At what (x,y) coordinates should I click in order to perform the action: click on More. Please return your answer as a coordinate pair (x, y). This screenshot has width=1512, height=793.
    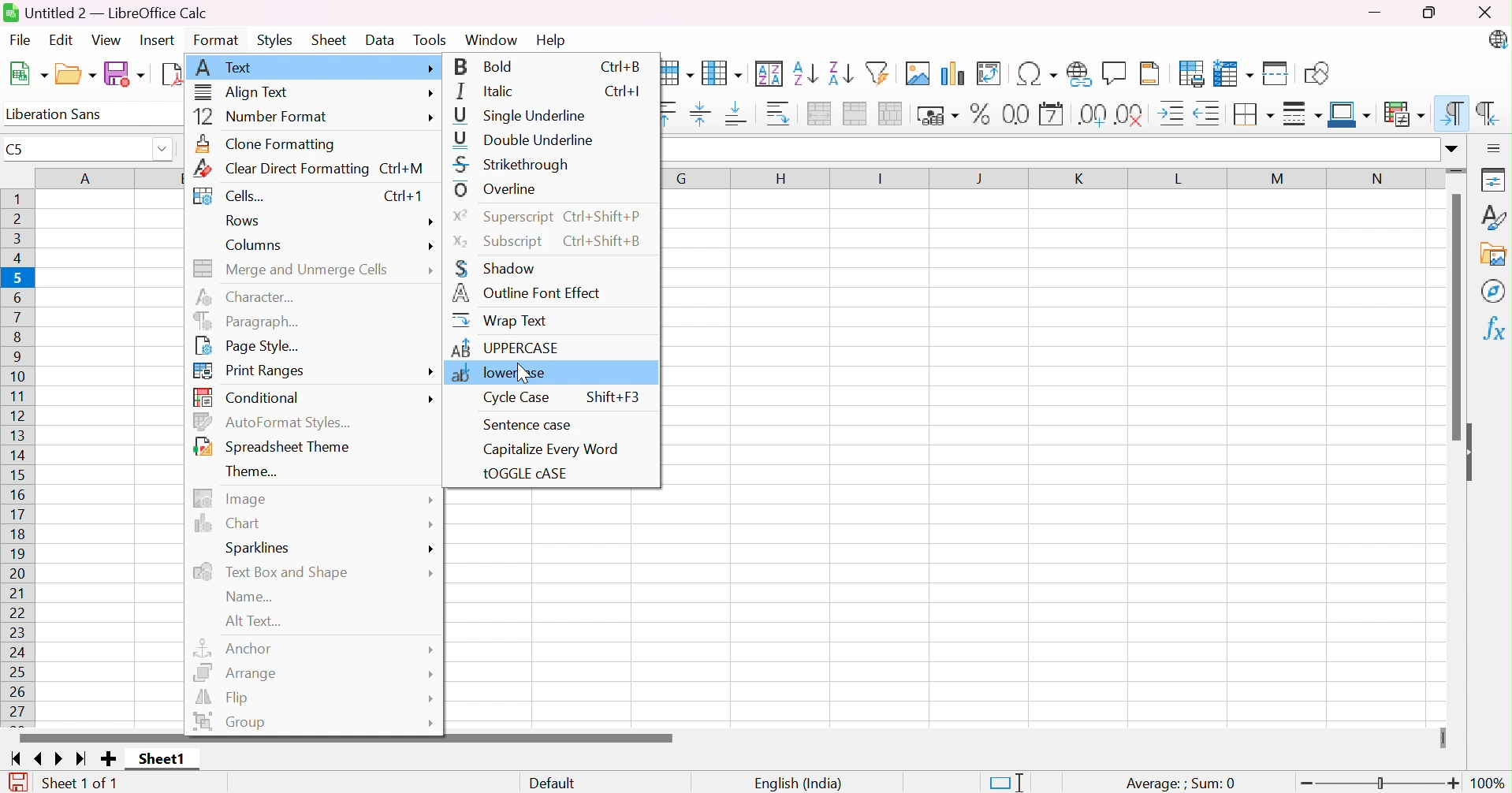
    Looking at the image, I should click on (432, 673).